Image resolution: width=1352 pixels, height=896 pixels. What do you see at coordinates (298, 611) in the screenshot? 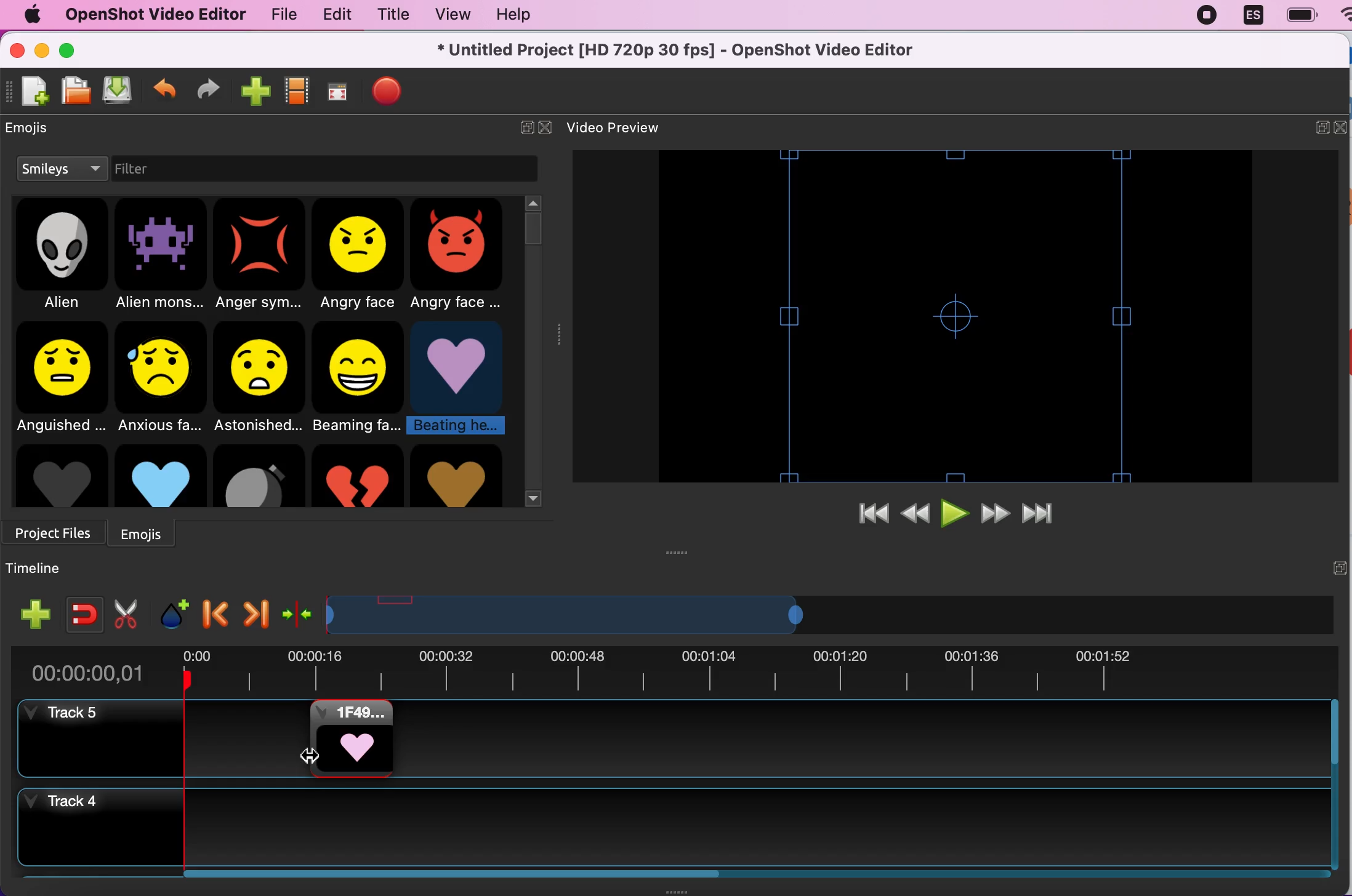
I see `center the timeline` at bounding box center [298, 611].